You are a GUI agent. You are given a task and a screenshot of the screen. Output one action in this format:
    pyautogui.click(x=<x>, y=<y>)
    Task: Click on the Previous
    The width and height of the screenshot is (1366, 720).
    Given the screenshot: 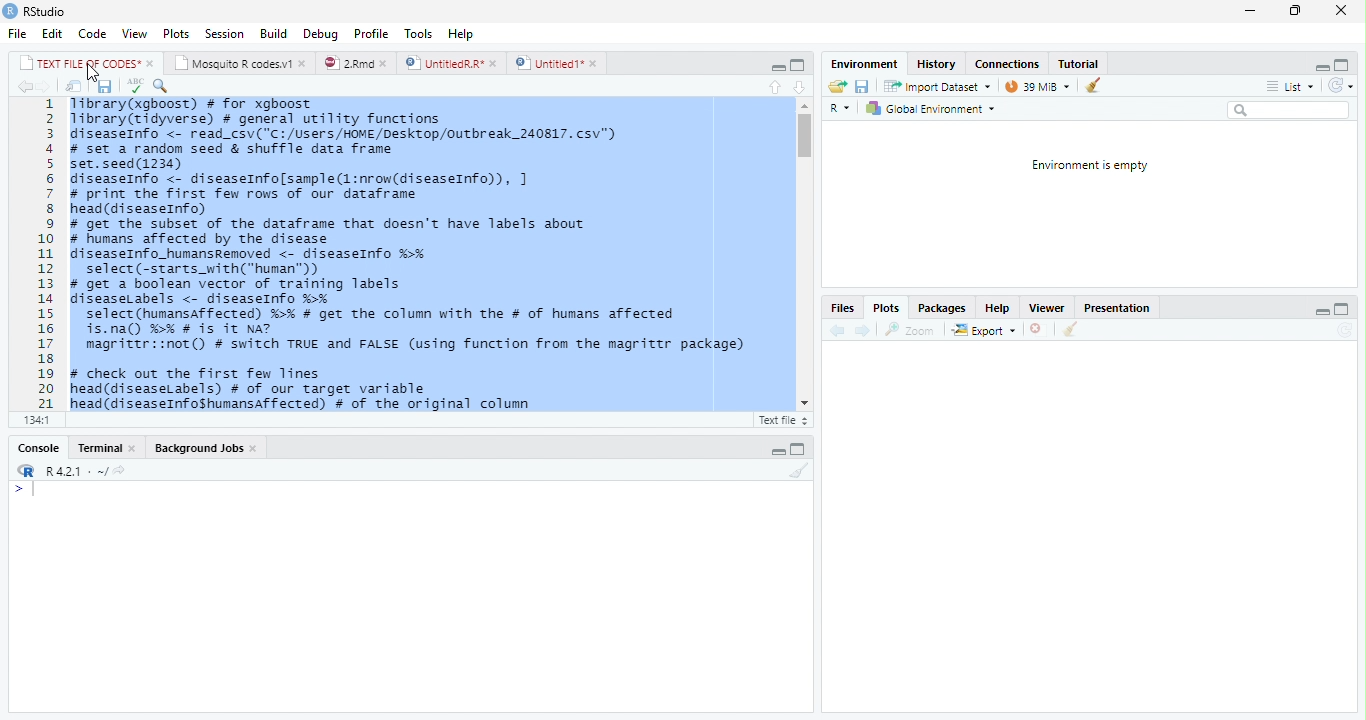 What is the action you would take?
    pyautogui.click(x=23, y=87)
    